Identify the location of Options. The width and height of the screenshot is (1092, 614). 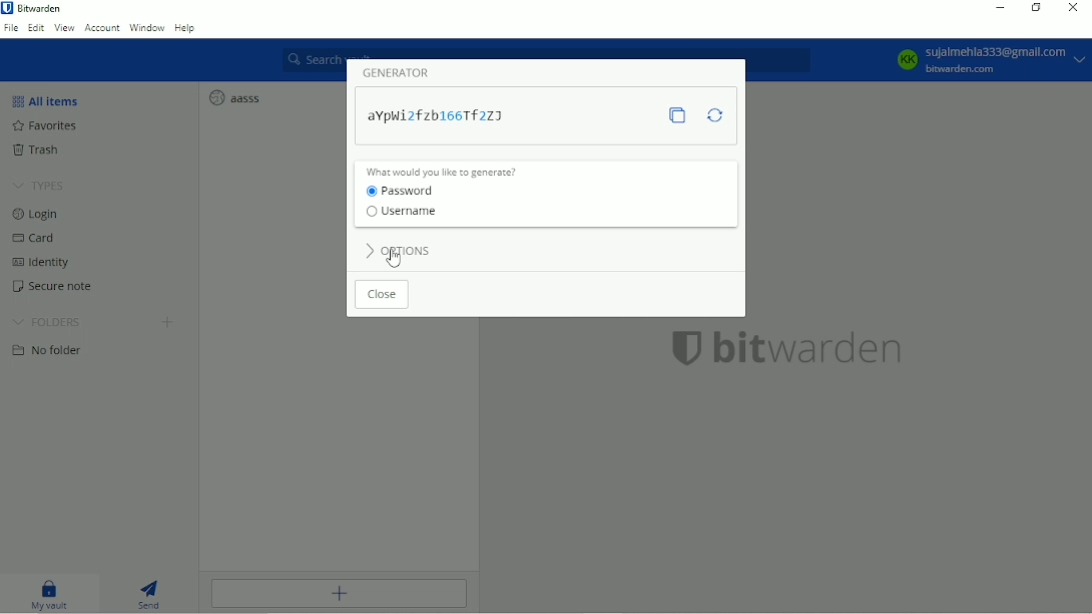
(396, 248).